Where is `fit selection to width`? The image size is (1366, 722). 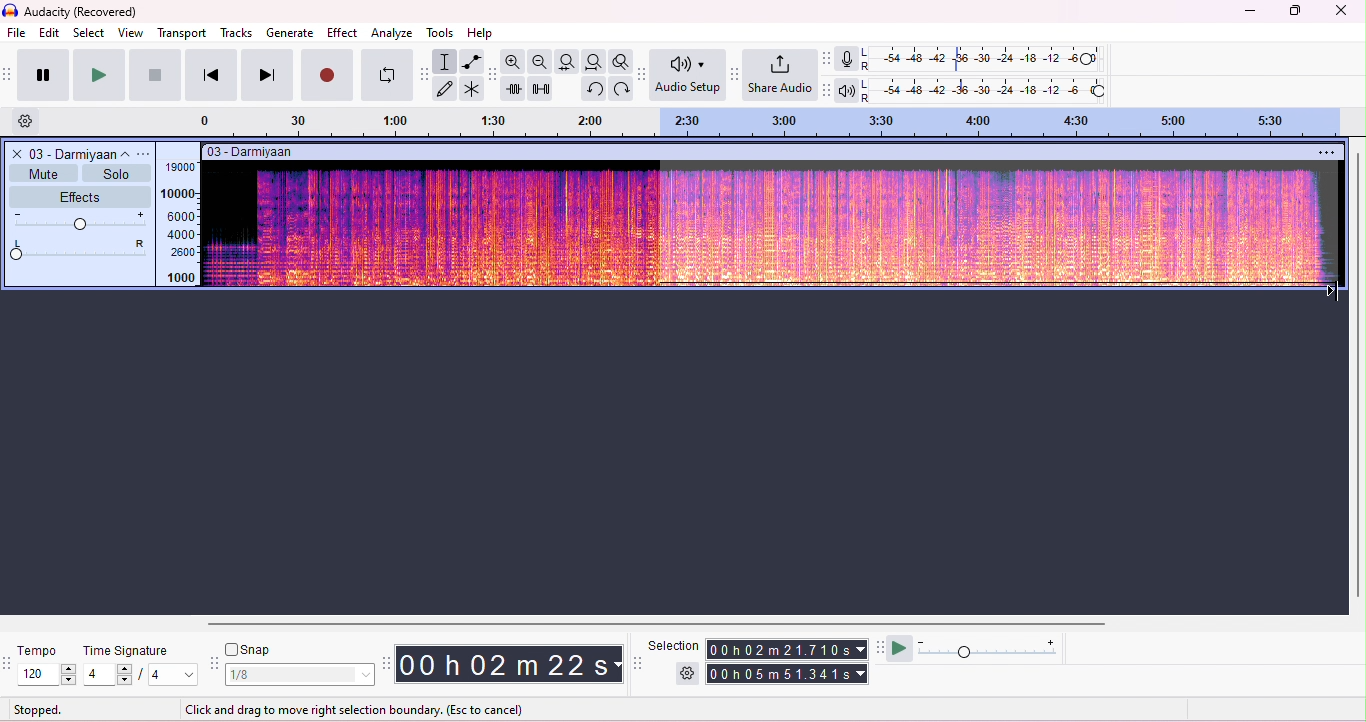
fit selection to width is located at coordinates (569, 62).